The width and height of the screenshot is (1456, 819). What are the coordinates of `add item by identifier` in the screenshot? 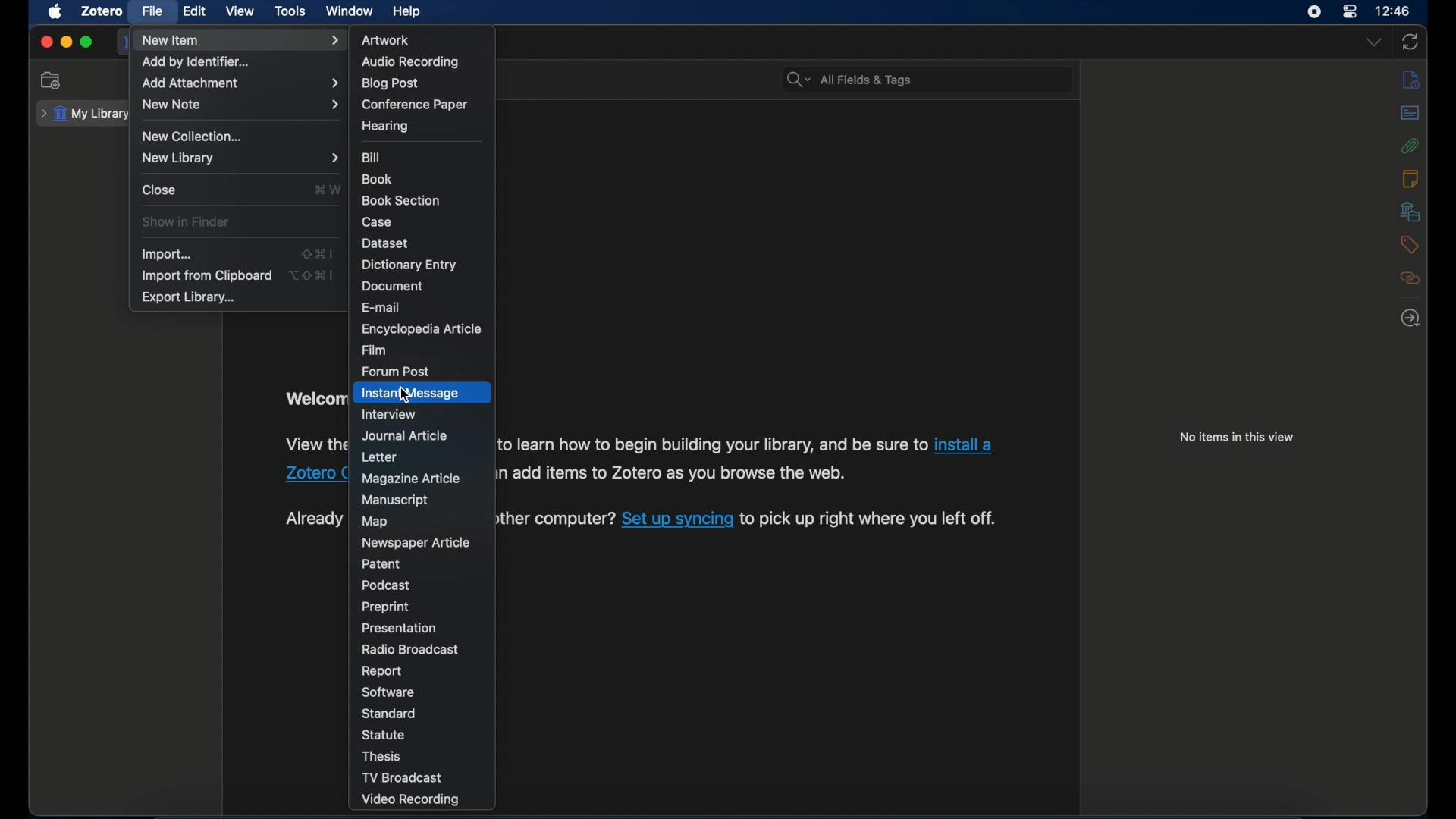 It's located at (196, 63).